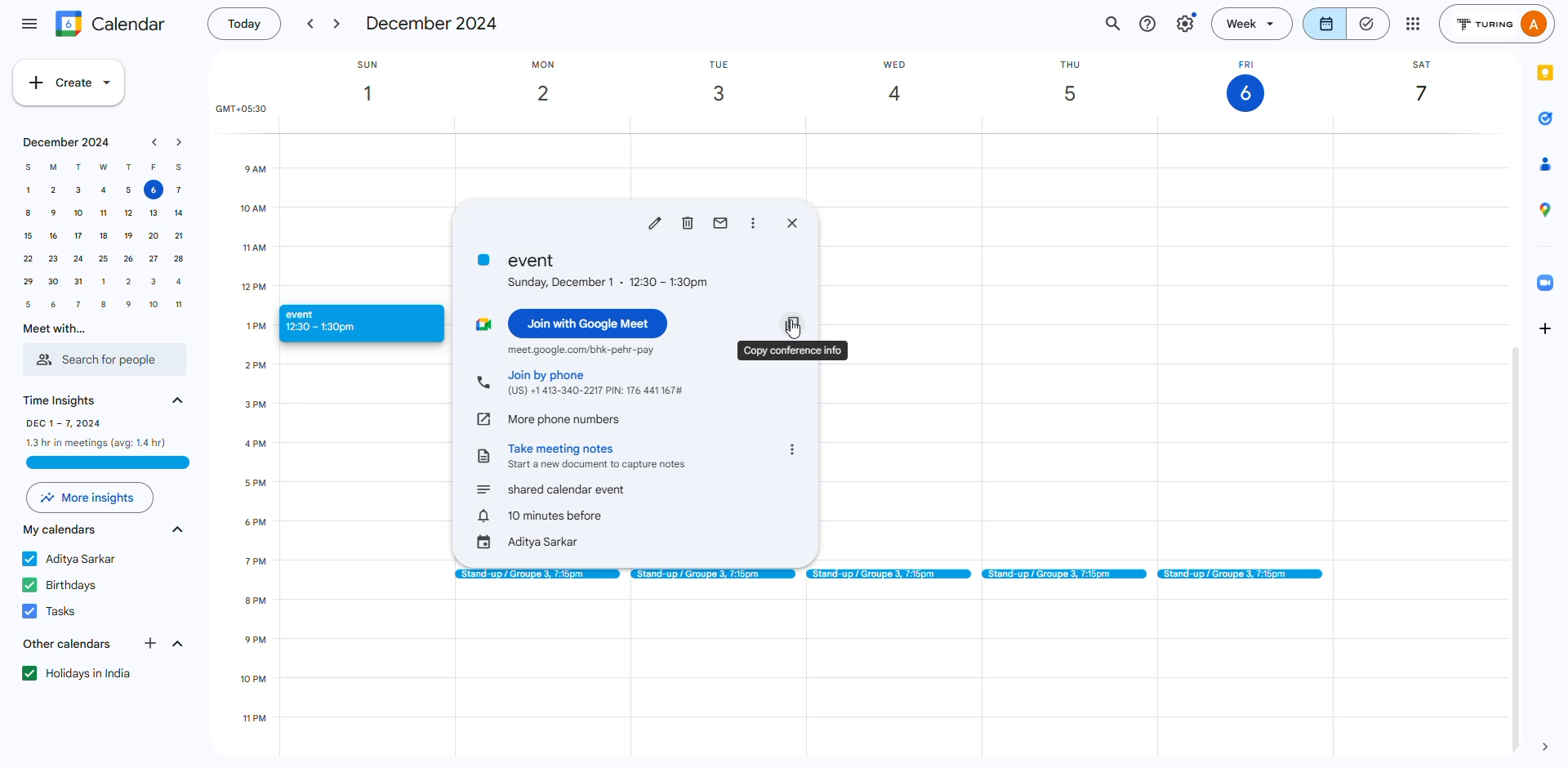  Describe the element at coordinates (127, 304) in the screenshot. I see `9` at that location.